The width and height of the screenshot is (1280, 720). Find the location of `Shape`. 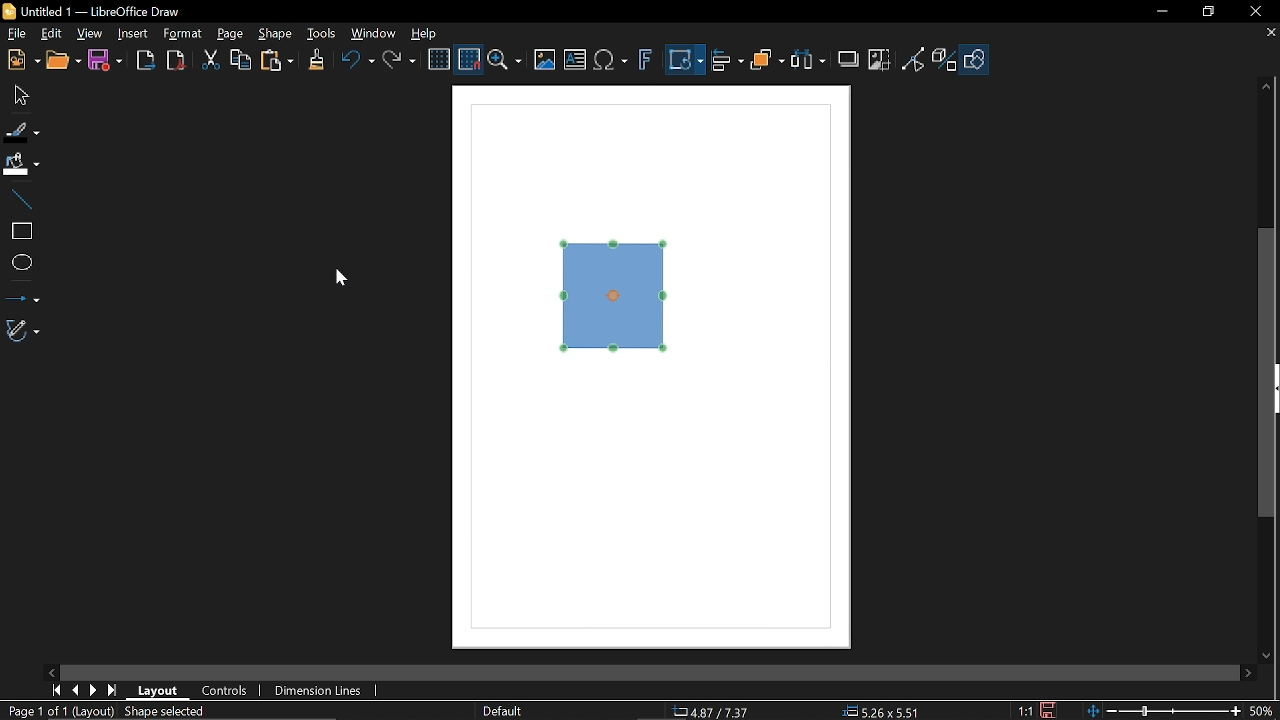

Shape is located at coordinates (274, 34).